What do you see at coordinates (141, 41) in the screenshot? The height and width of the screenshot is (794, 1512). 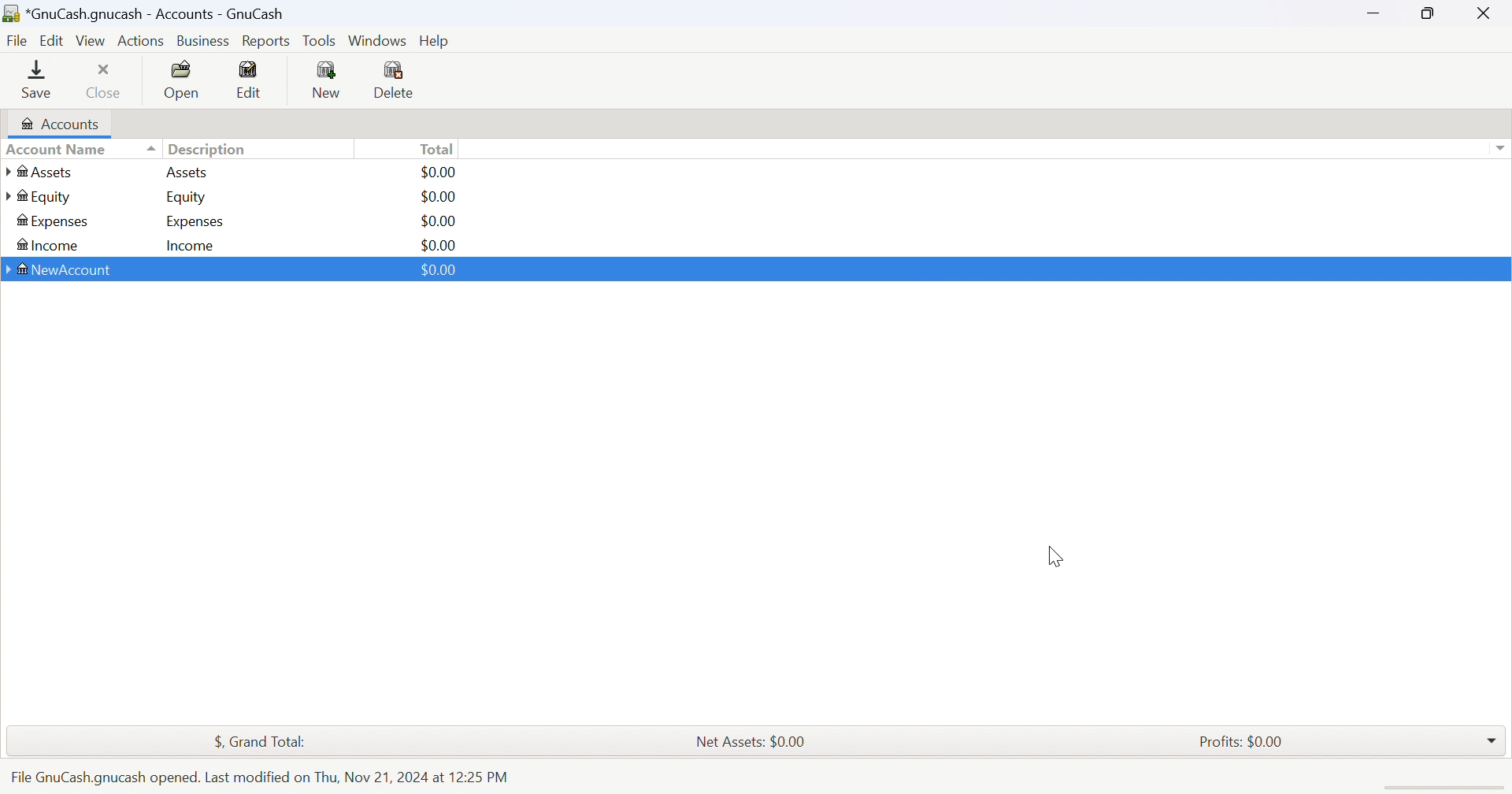 I see `Actions` at bounding box center [141, 41].